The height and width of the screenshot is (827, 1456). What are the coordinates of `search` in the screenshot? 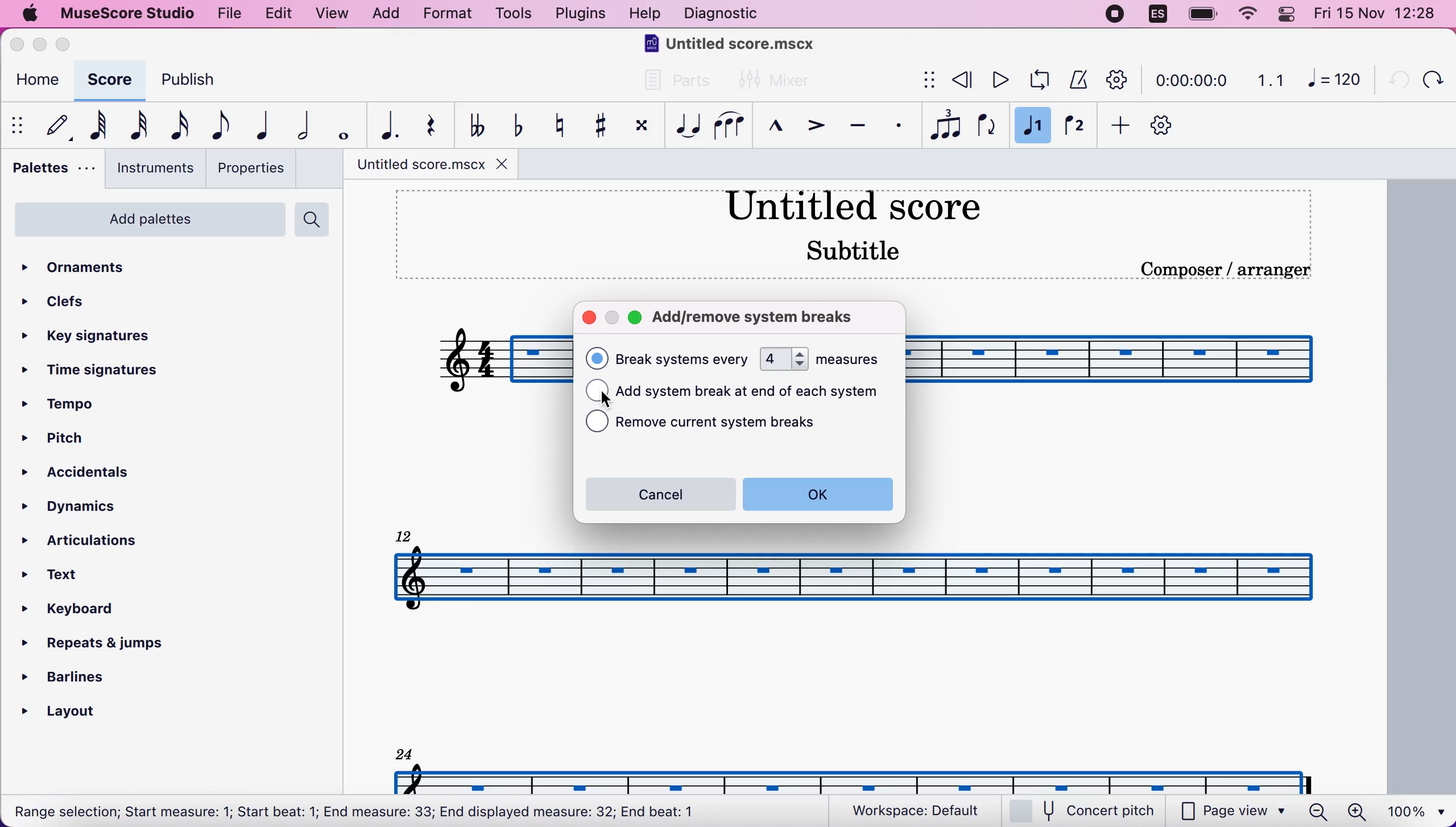 It's located at (315, 220).